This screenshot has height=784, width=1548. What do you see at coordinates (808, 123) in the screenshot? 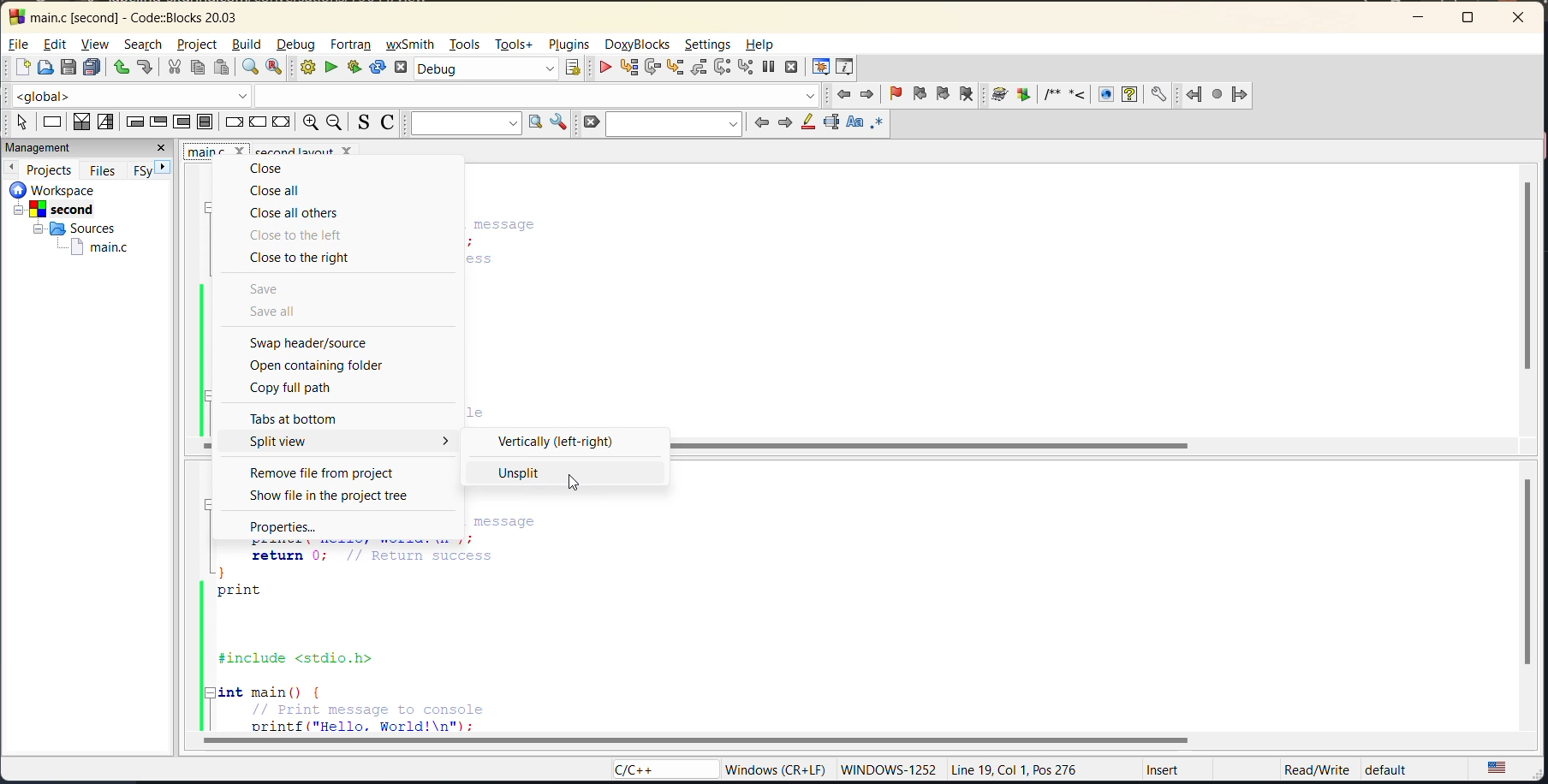
I see `highlight` at bounding box center [808, 123].